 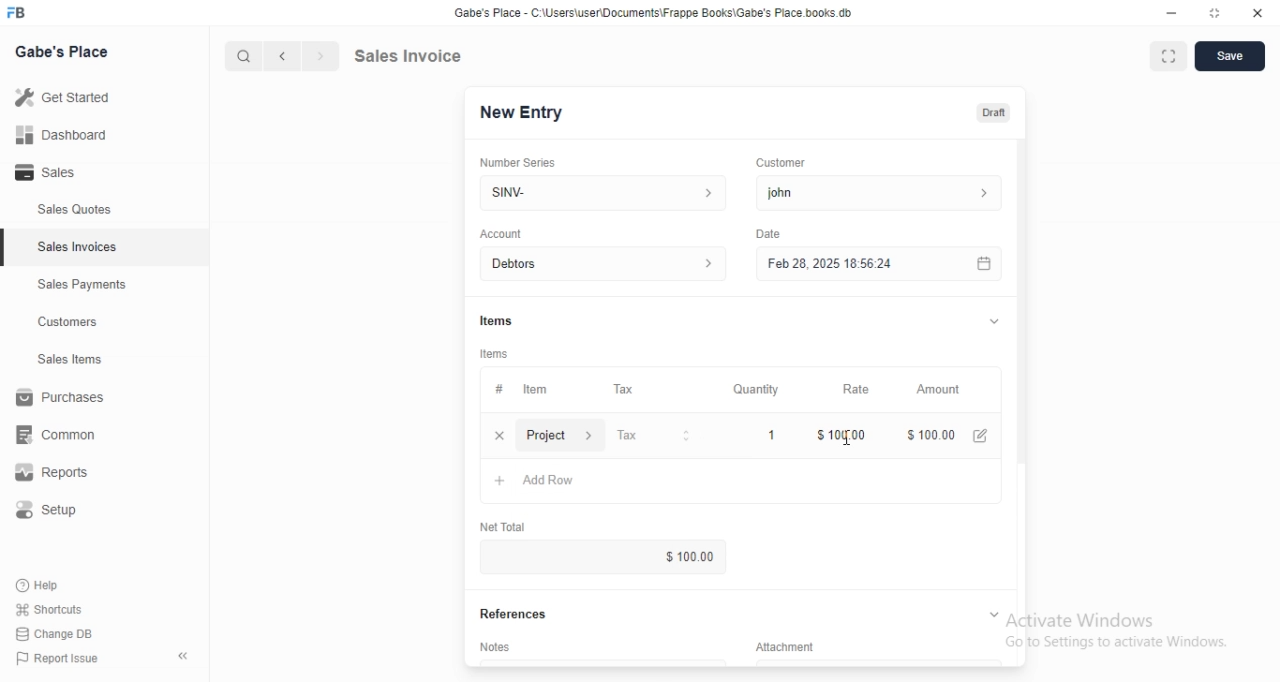 I want to click on Gabe's Place - C \Wsers\usenDocuments\Frappe Books\Gabe's Place books db, so click(x=658, y=16).